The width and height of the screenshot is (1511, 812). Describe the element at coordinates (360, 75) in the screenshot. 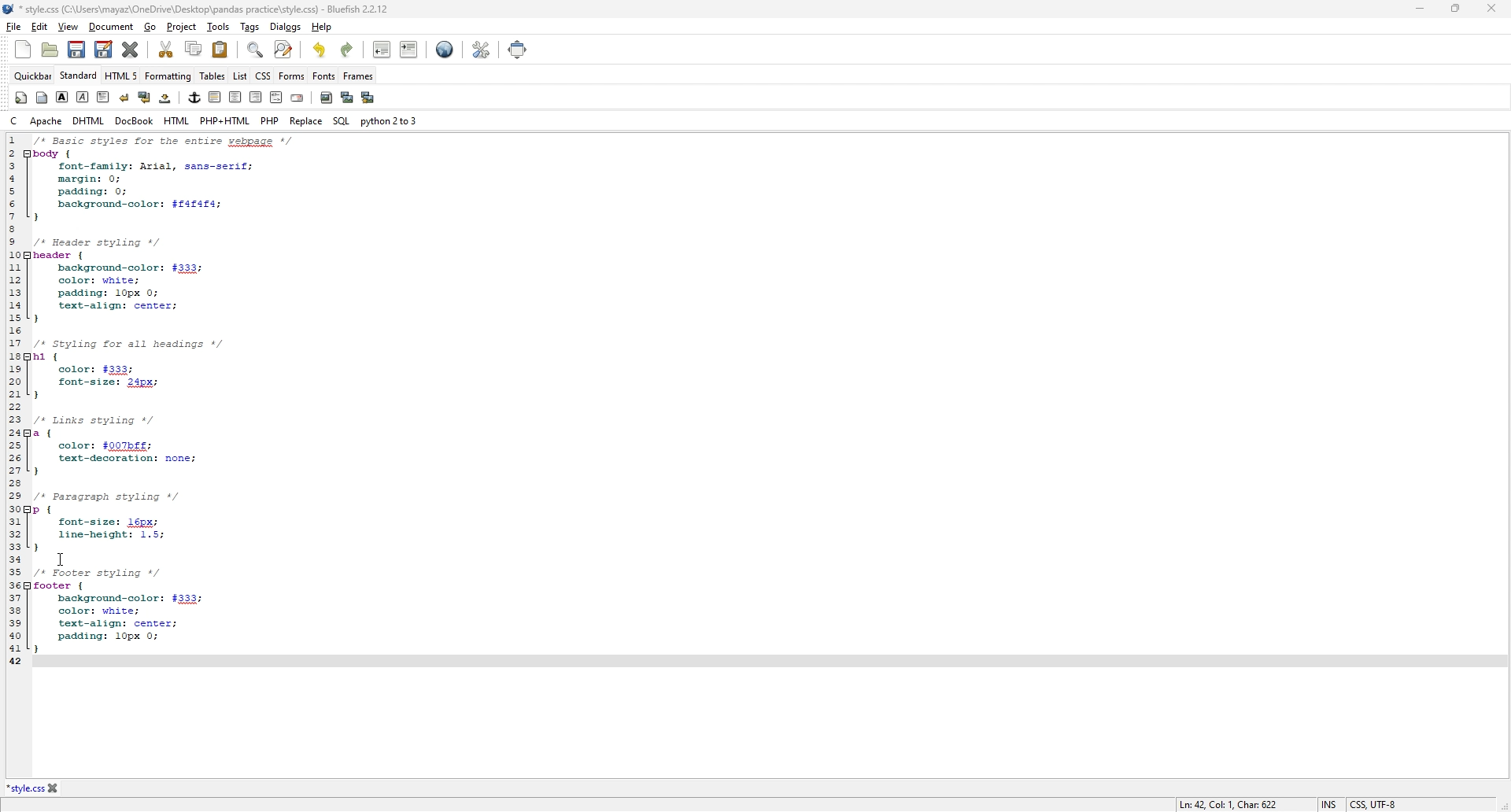

I see `frames` at that location.